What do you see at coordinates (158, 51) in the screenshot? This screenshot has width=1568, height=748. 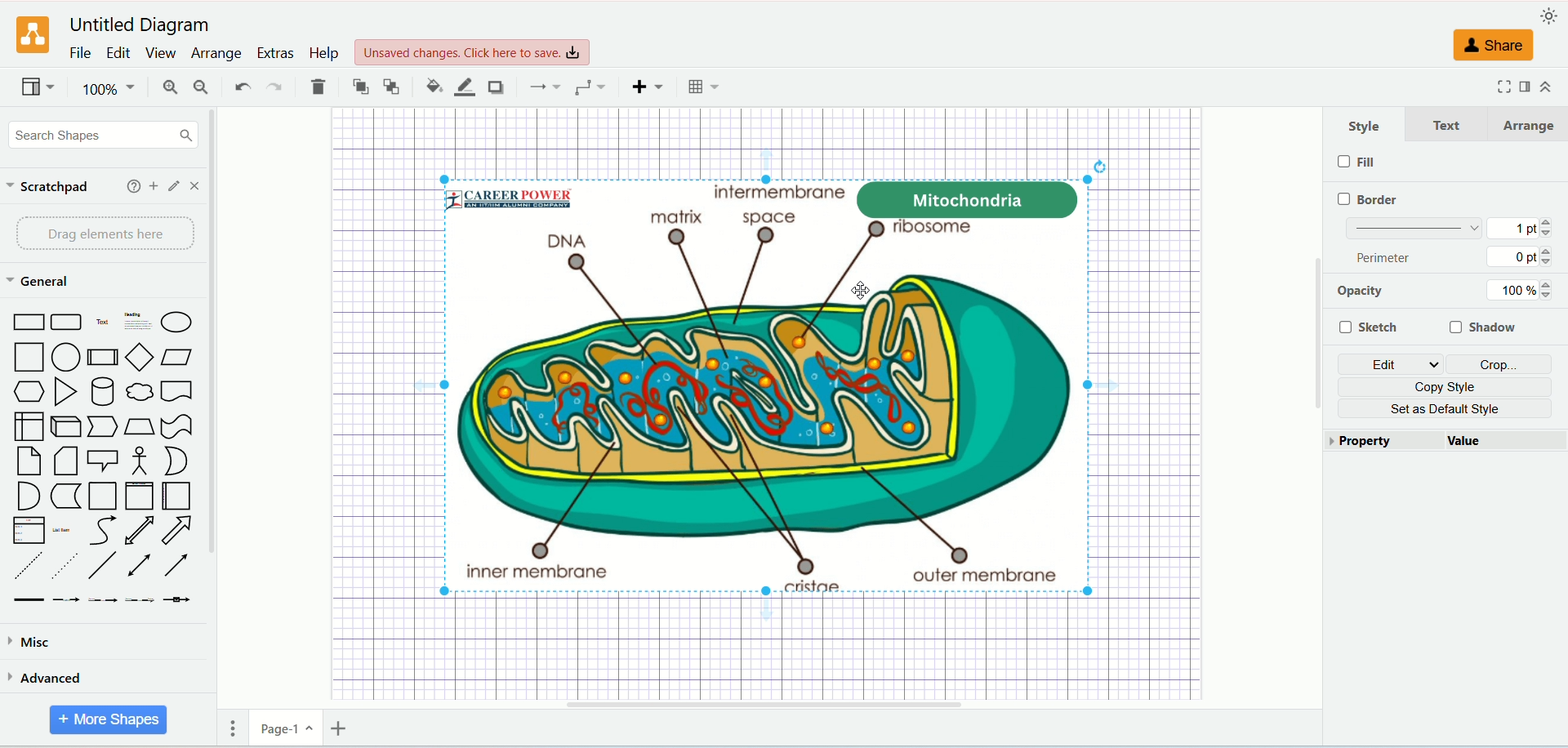 I see `view` at bounding box center [158, 51].